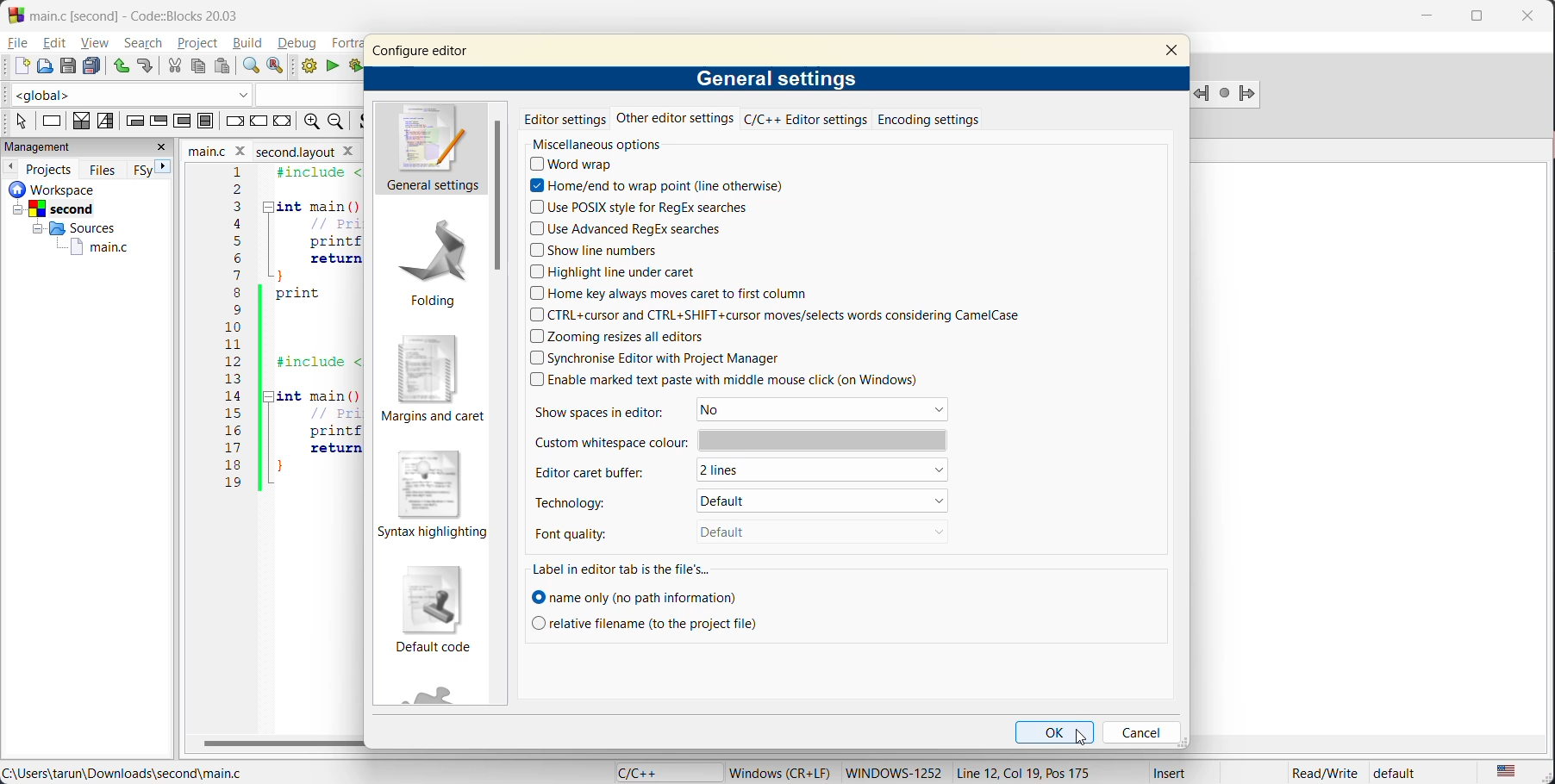  What do you see at coordinates (172, 65) in the screenshot?
I see `cut` at bounding box center [172, 65].